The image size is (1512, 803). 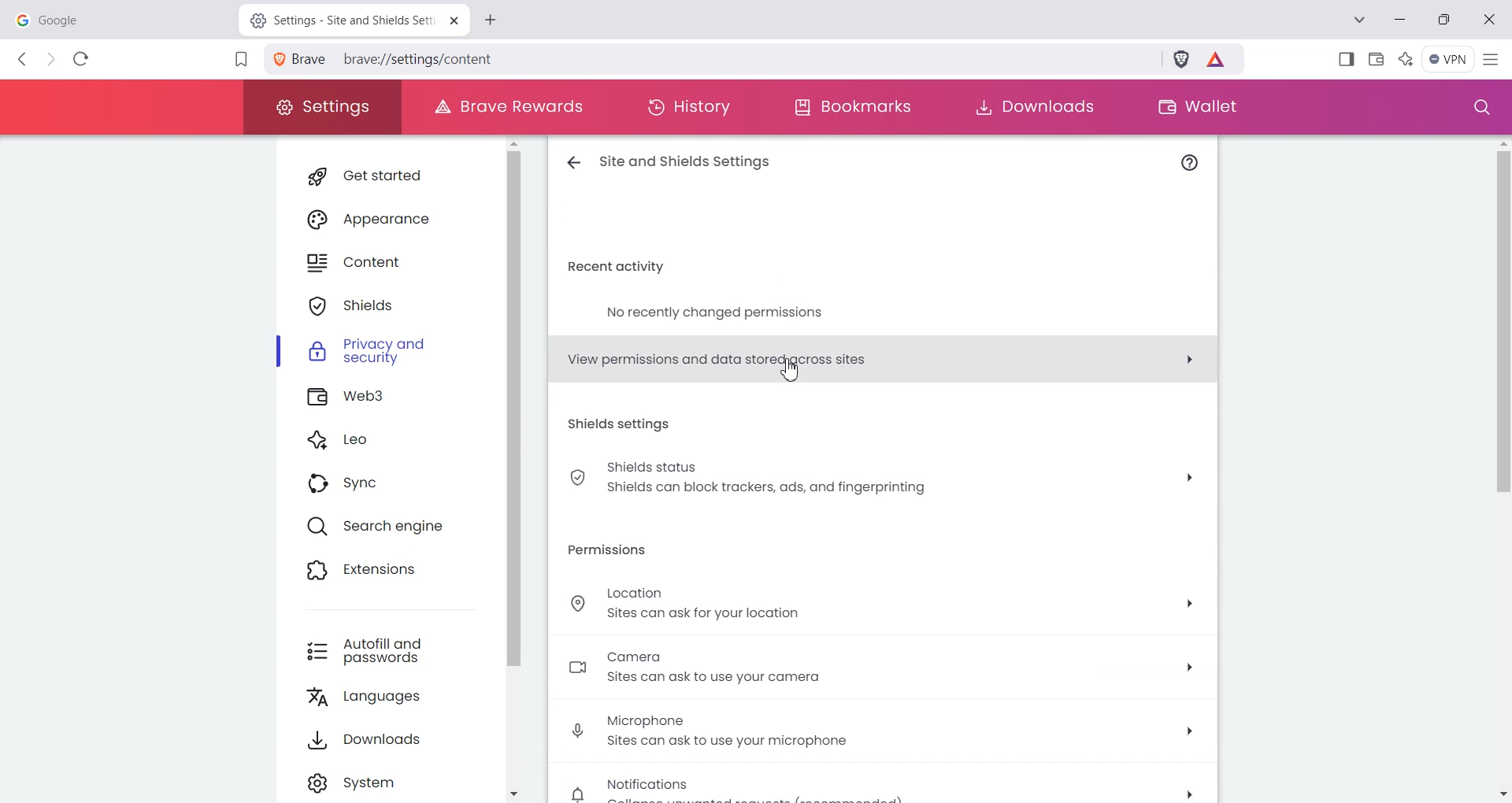 I want to click on Location
sites can ask for your location, so click(x=878, y=605).